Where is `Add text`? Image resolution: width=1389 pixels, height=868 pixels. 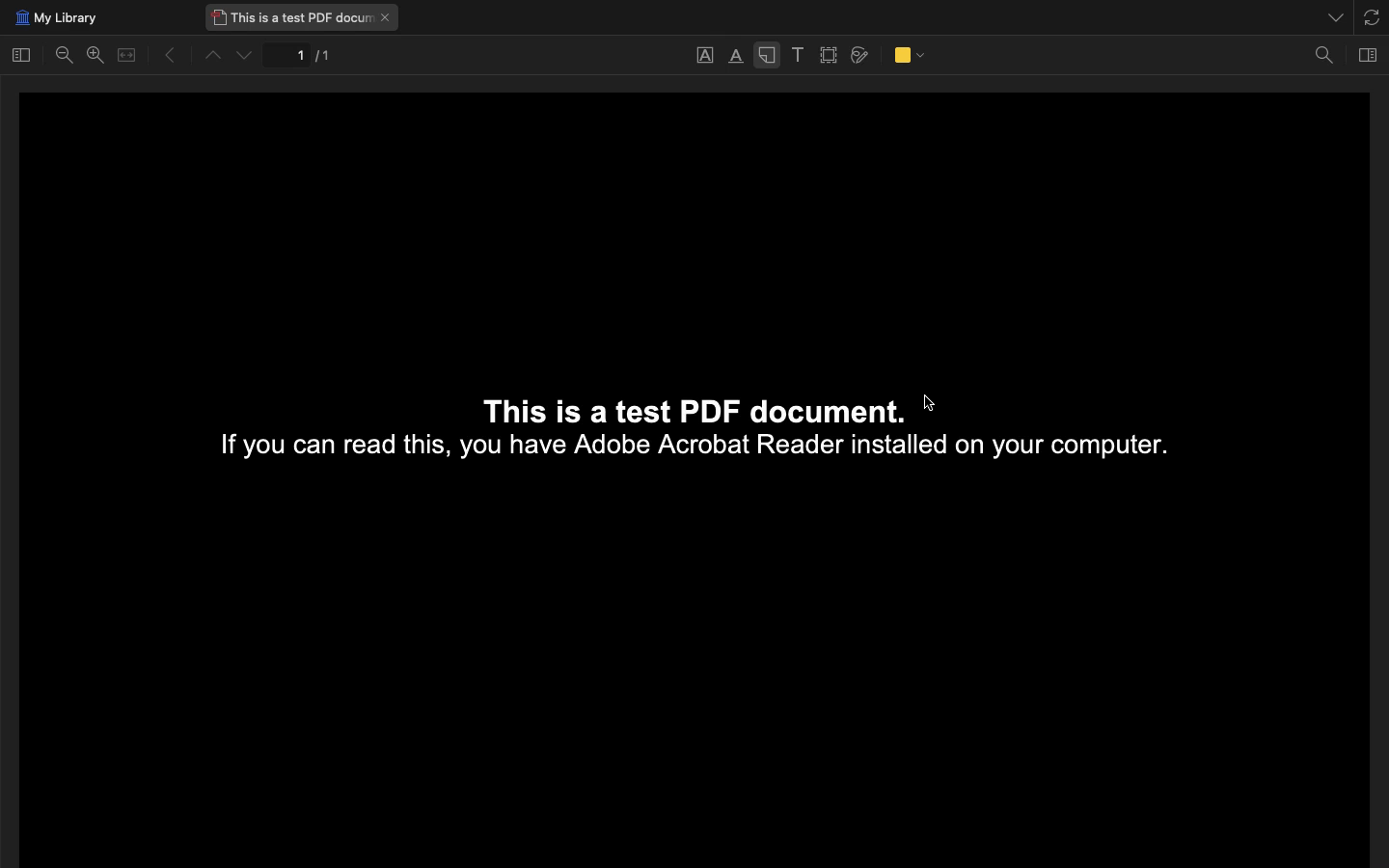
Add text is located at coordinates (798, 56).